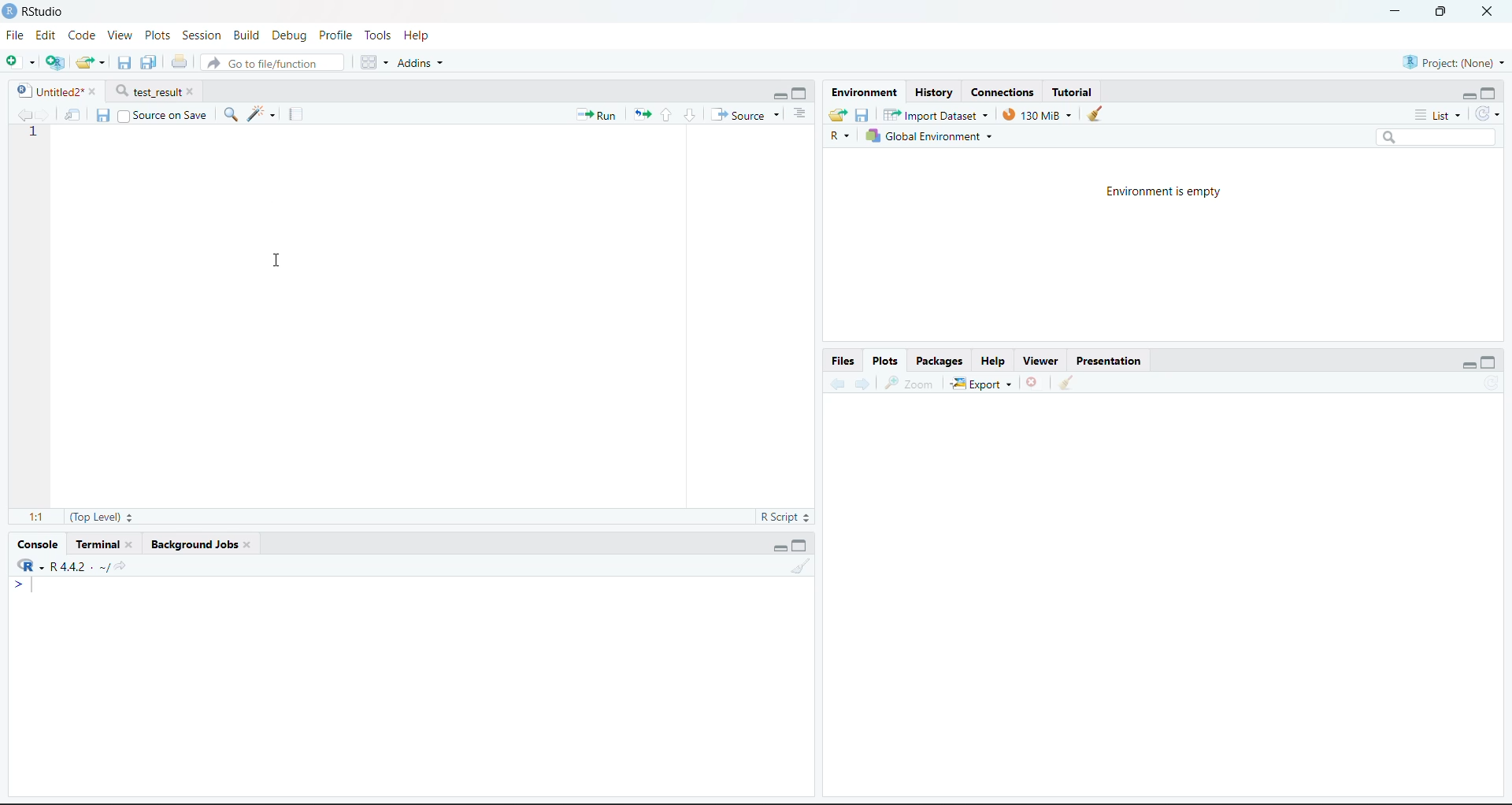  I want to click on Environment is empty, so click(1165, 190).